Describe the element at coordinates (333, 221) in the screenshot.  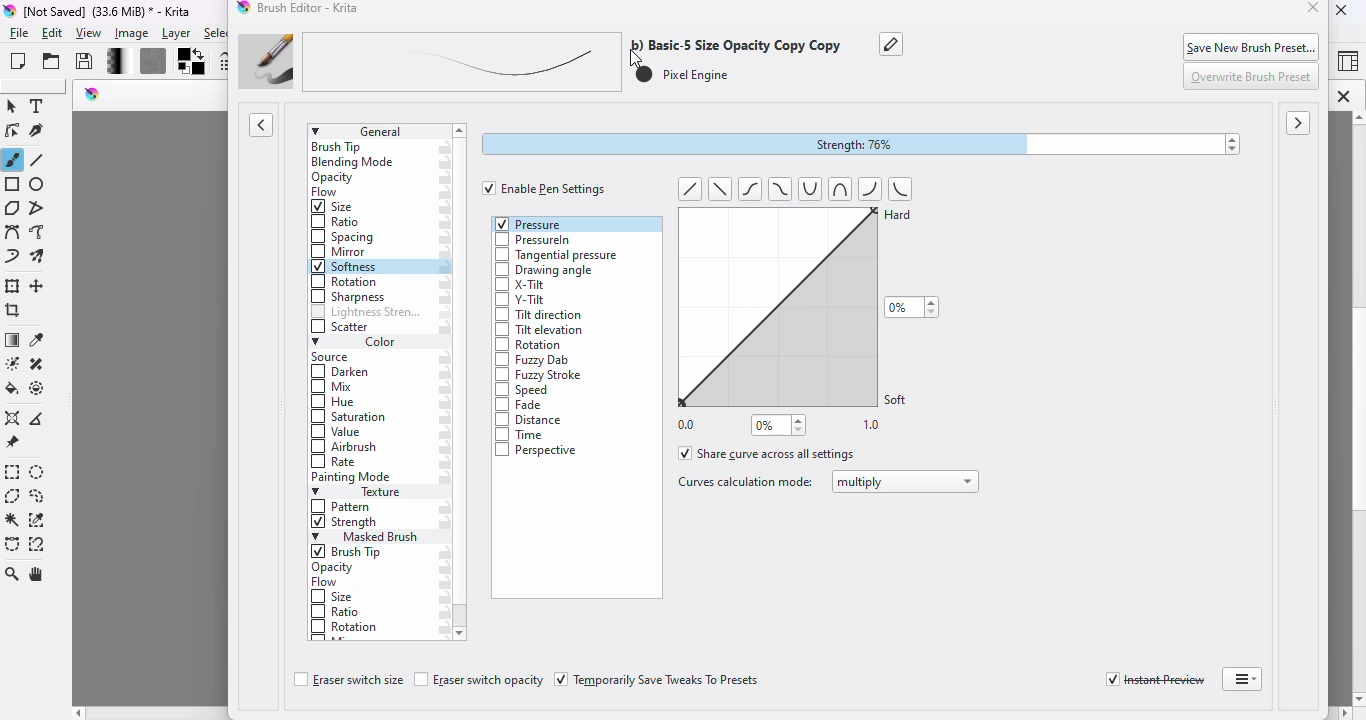
I see `ratio` at that location.